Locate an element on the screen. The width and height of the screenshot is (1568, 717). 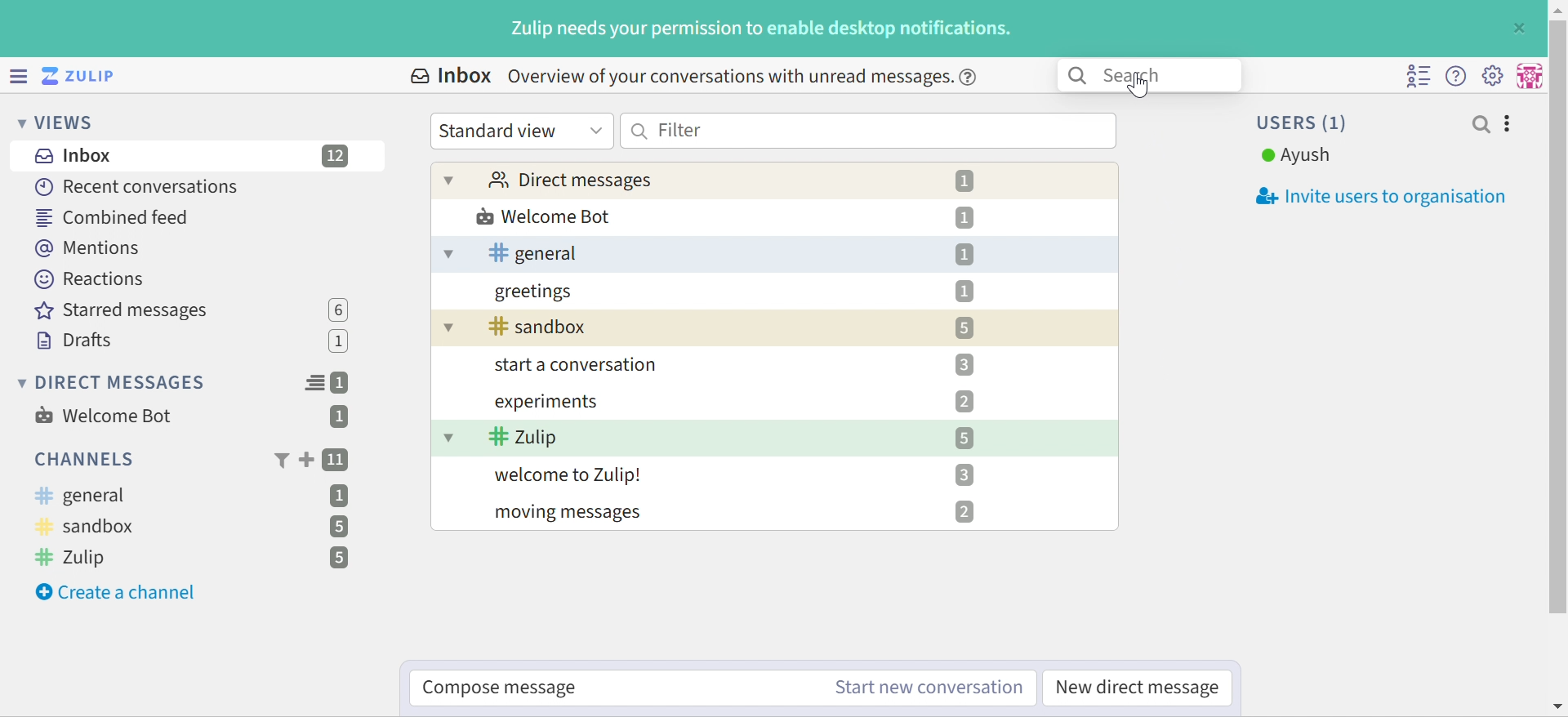
Inbox is located at coordinates (449, 76).